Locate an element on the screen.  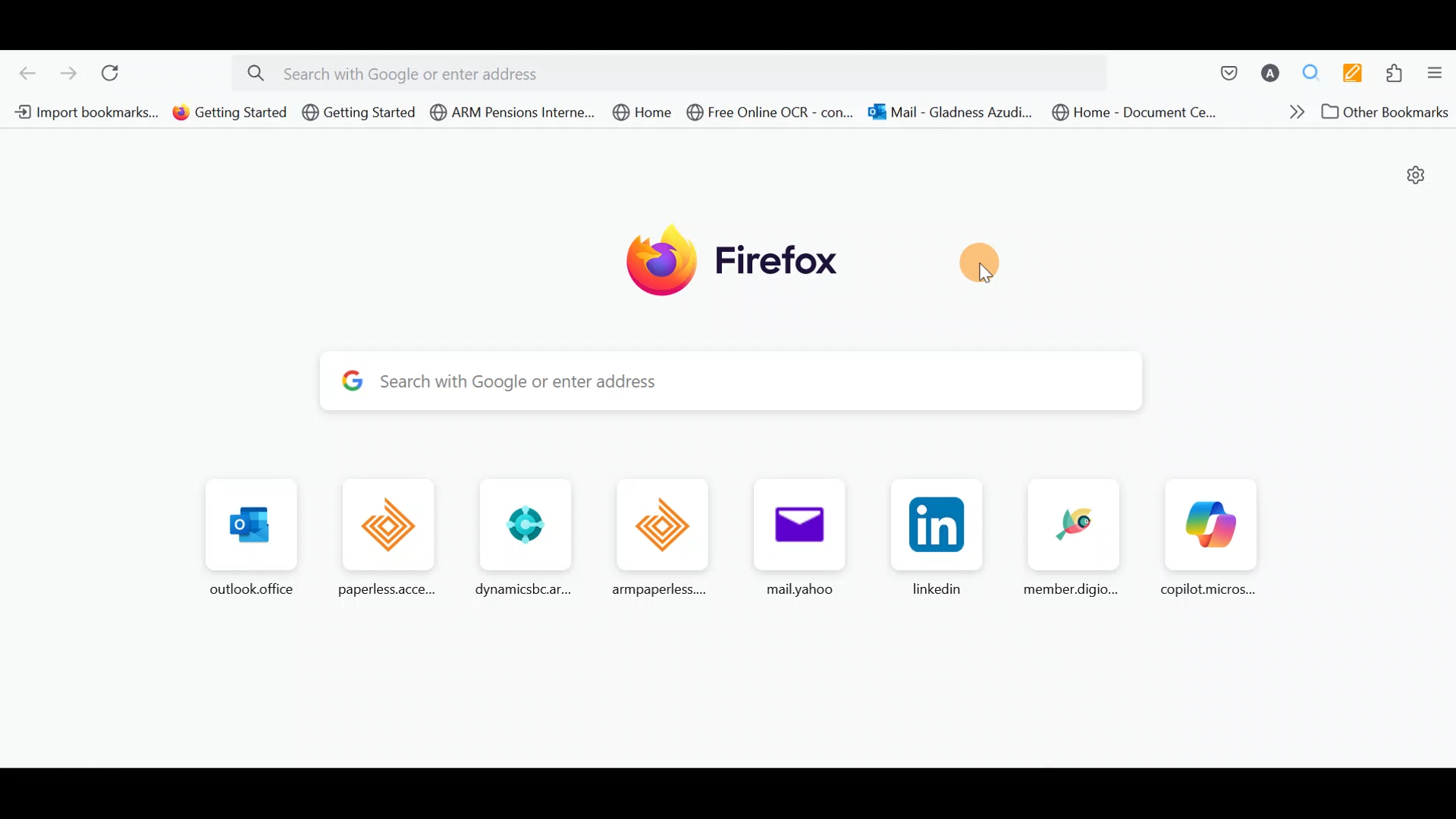
Other bookmarks is located at coordinates (1382, 111).